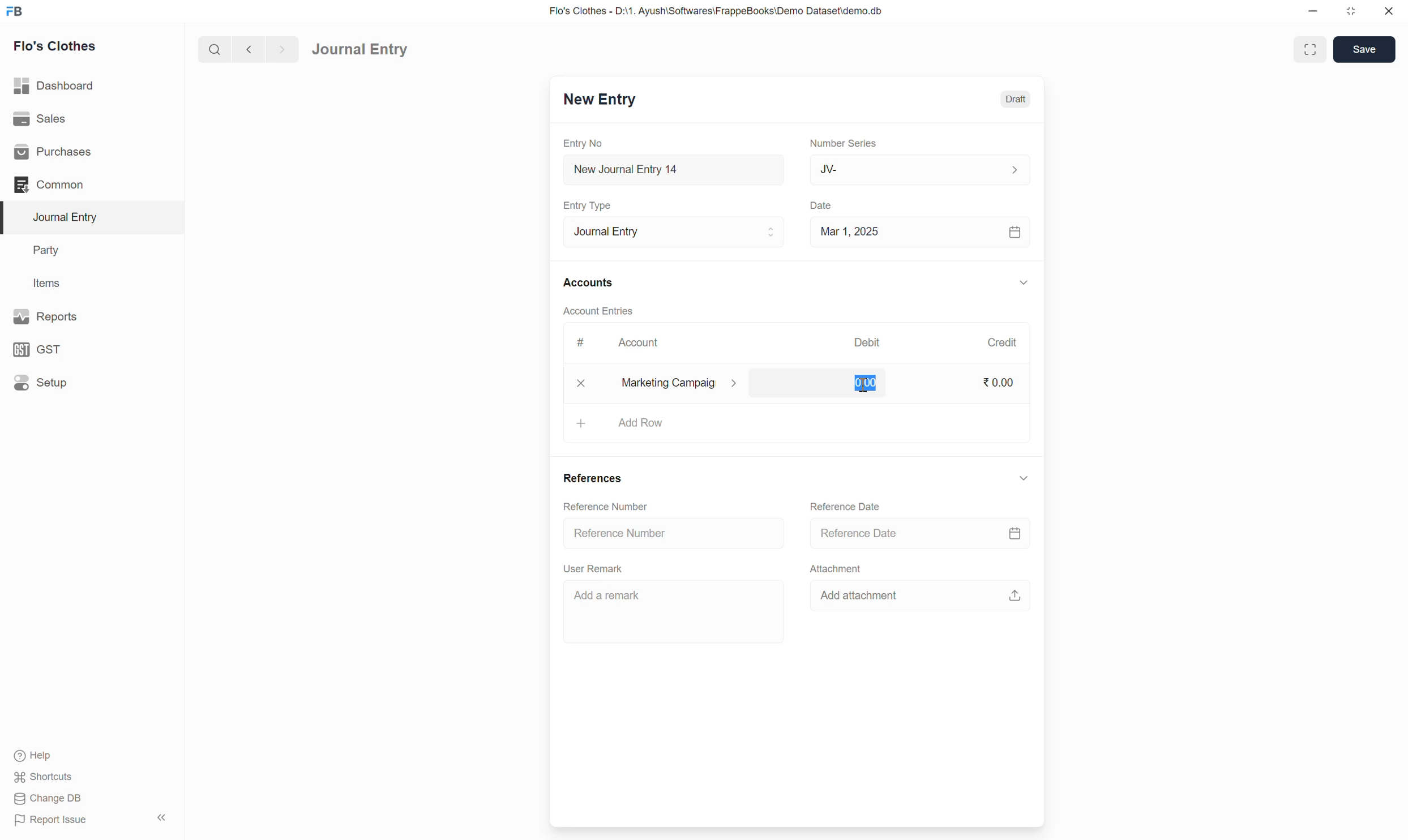 The image size is (1408, 840). I want to click on calendar, so click(1016, 233).